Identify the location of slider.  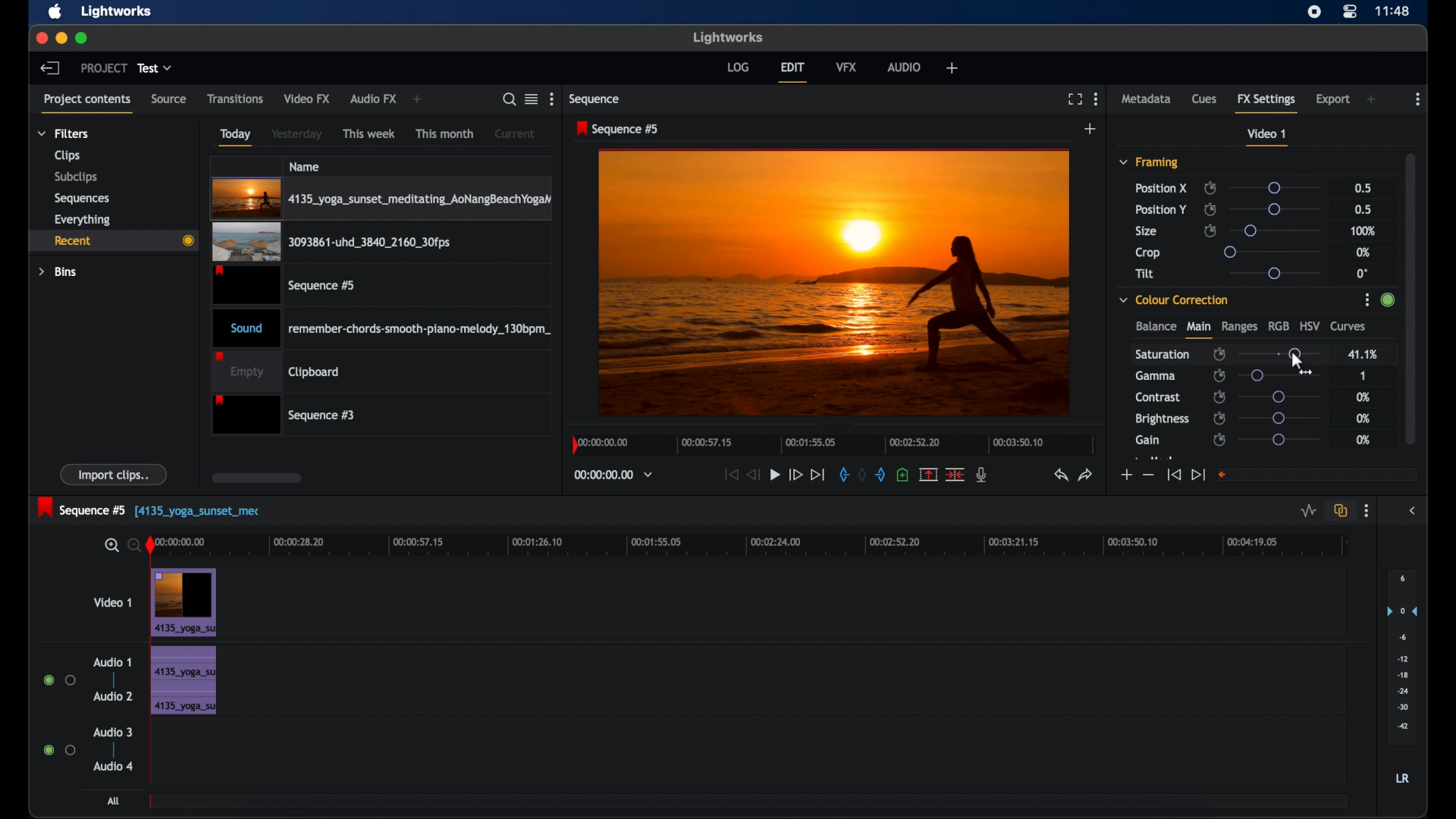
(1273, 251).